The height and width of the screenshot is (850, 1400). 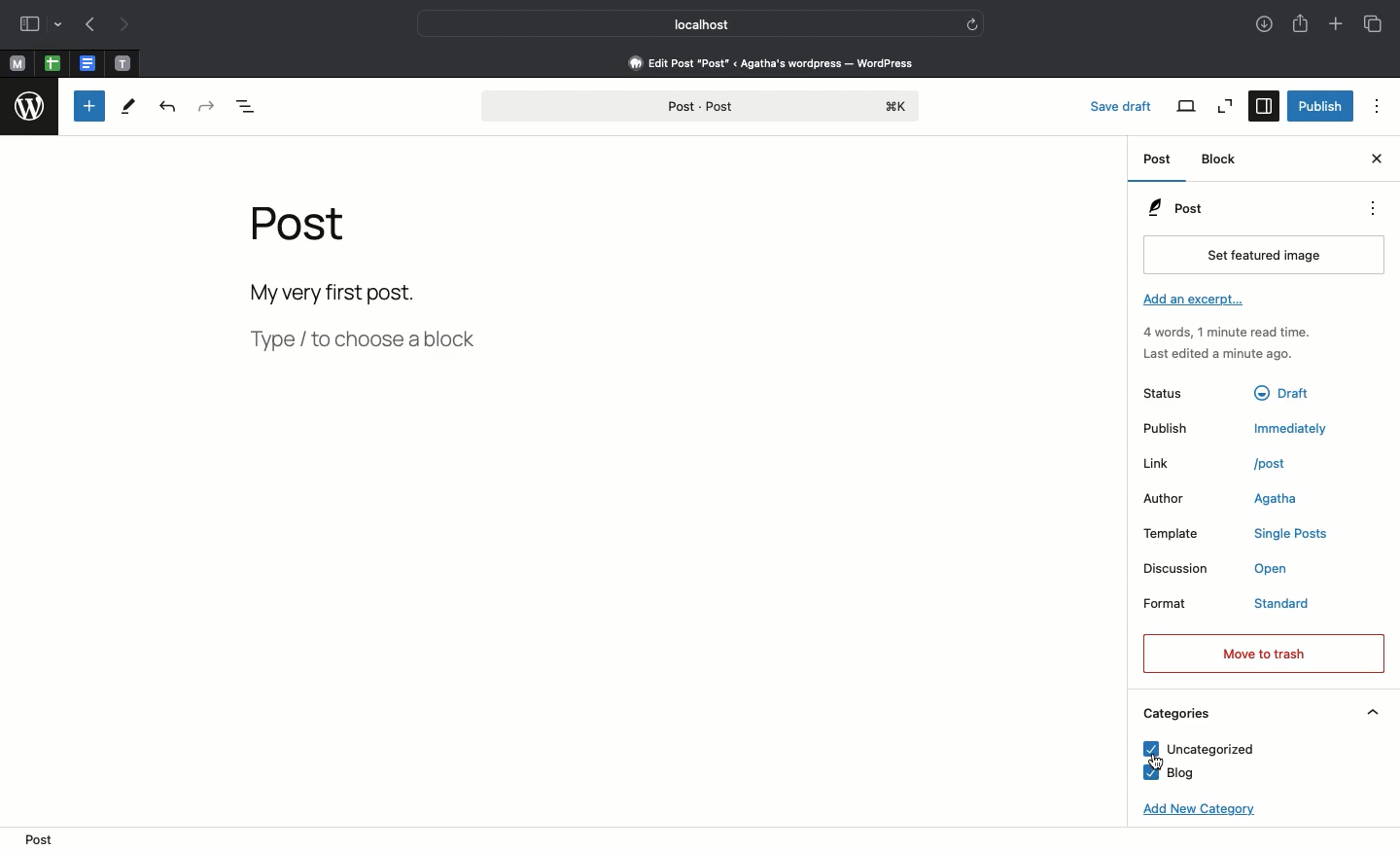 What do you see at coordinates (261, 105) in the screenshot?
I see `Document overview` at bounding box center [261, 105].